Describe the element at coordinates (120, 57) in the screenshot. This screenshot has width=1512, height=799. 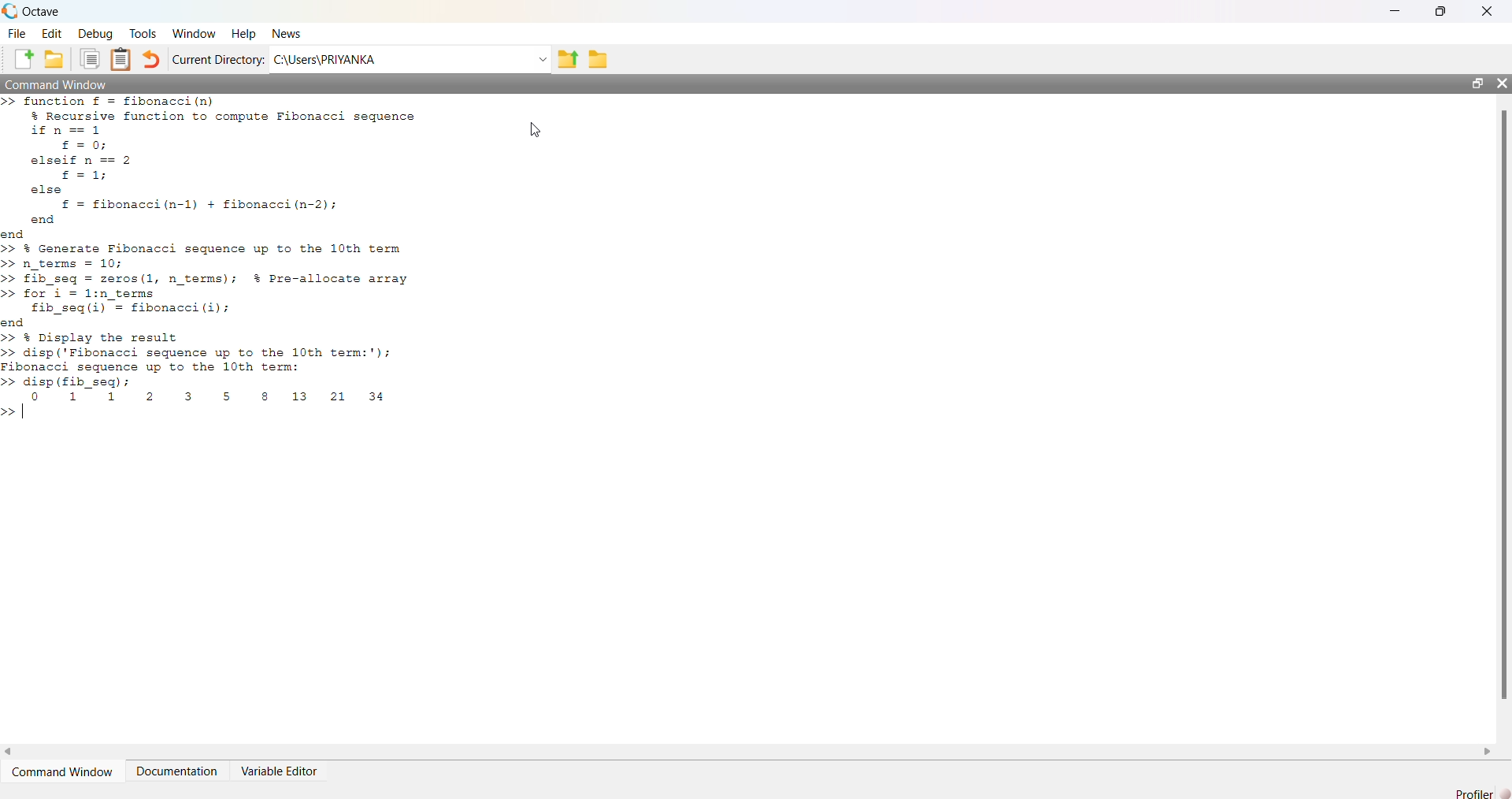
I see `notes` at that location.